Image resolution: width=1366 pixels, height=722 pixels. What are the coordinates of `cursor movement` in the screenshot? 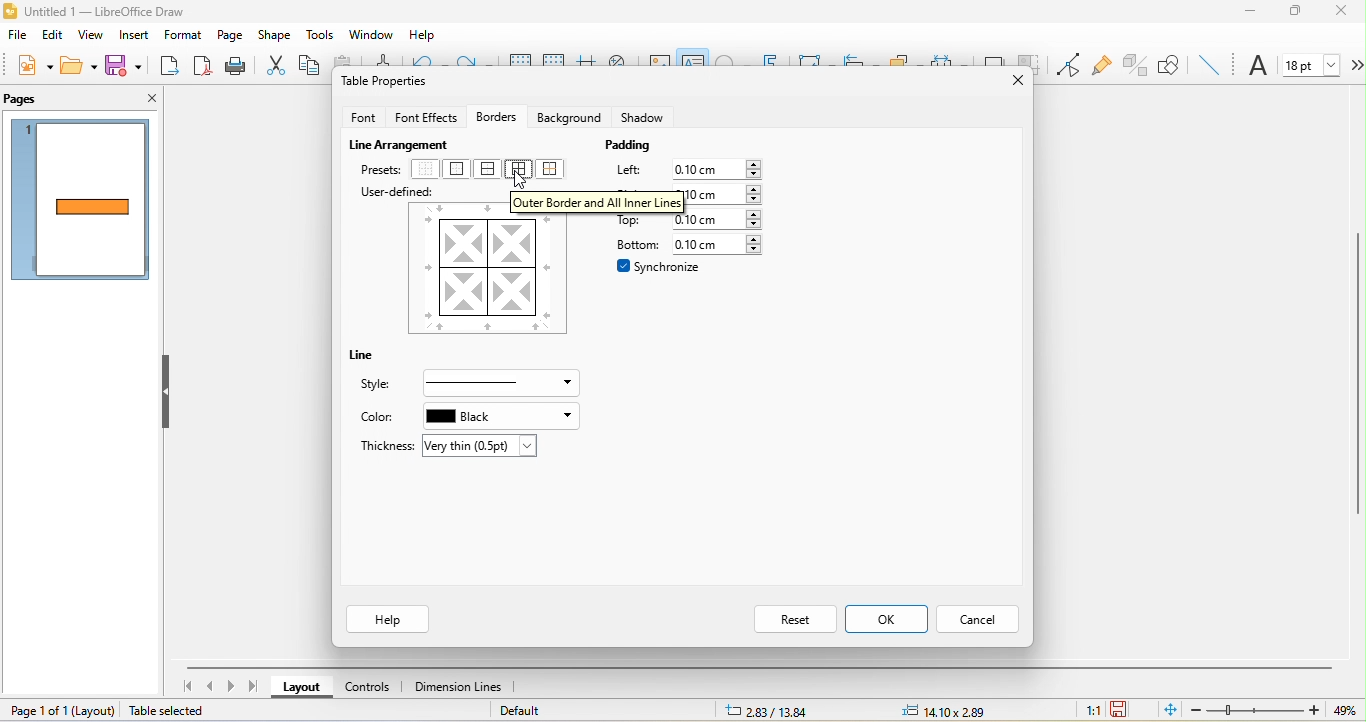 It's located at (530, 182).